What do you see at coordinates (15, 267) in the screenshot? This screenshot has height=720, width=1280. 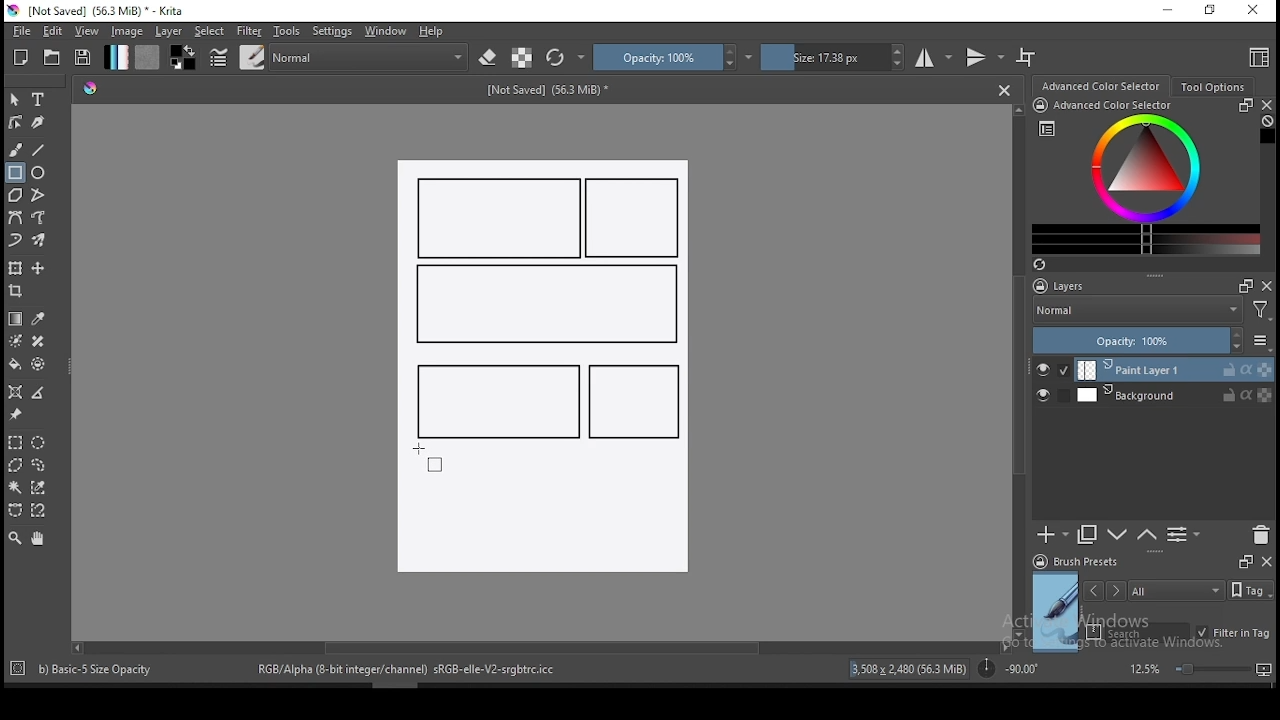 I see `transform a layer or a selection` at bounding box center [15, 267].